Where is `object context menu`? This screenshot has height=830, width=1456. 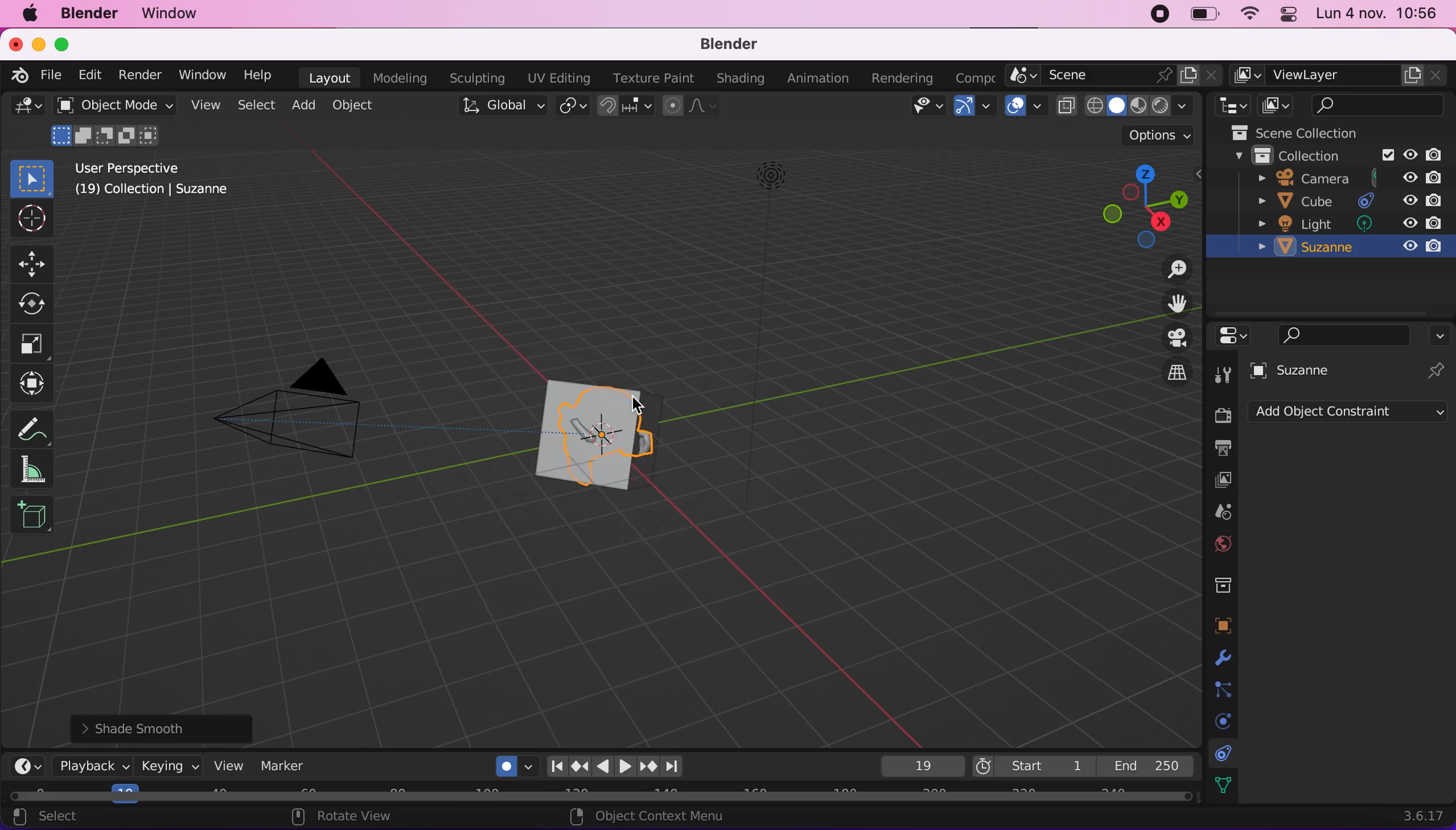 object context menu is located at coordinates (652, 816).